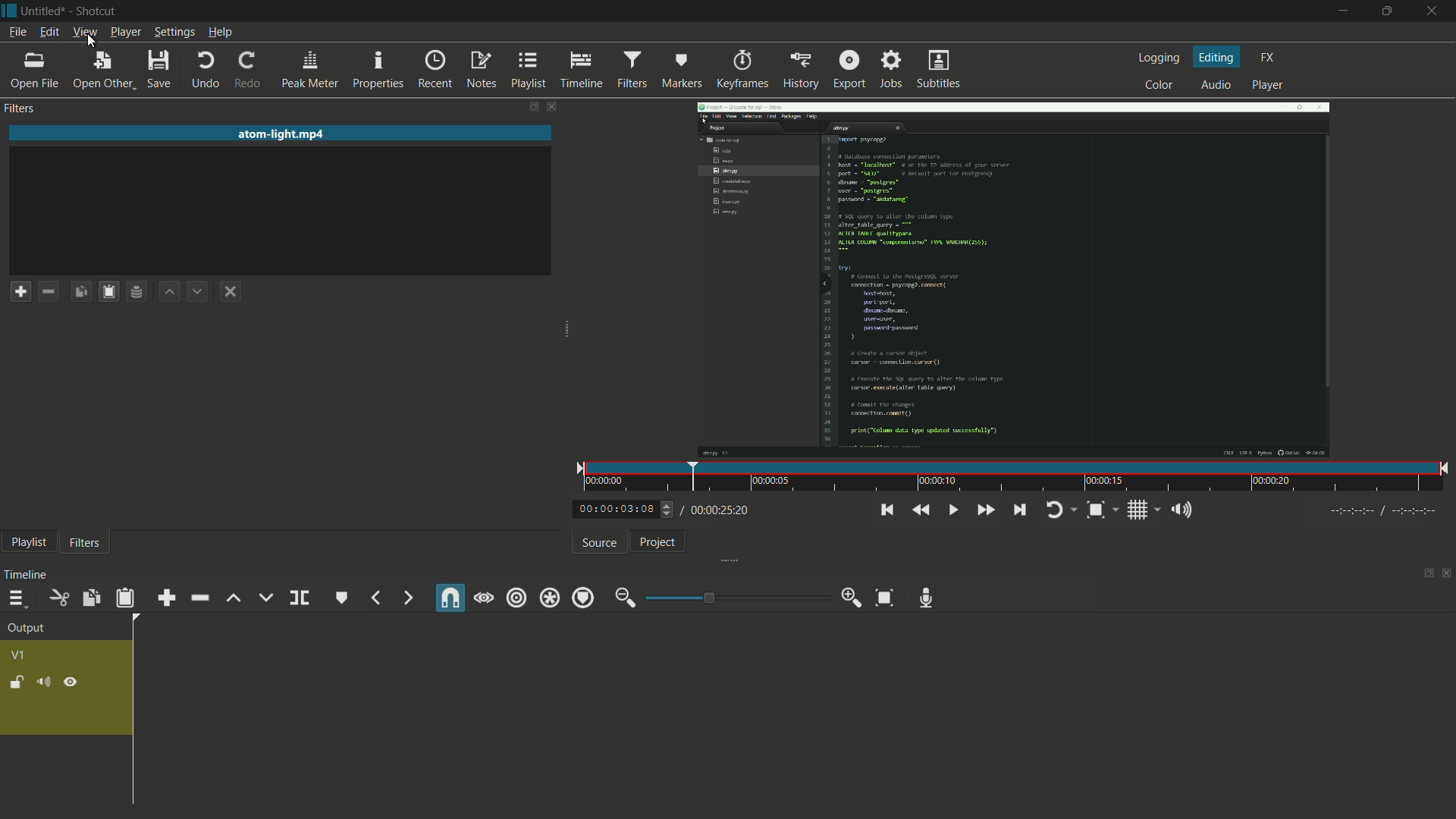  Describe the element at coordinates (1343, 11) in the screenshot. I see `minimize` at that location.